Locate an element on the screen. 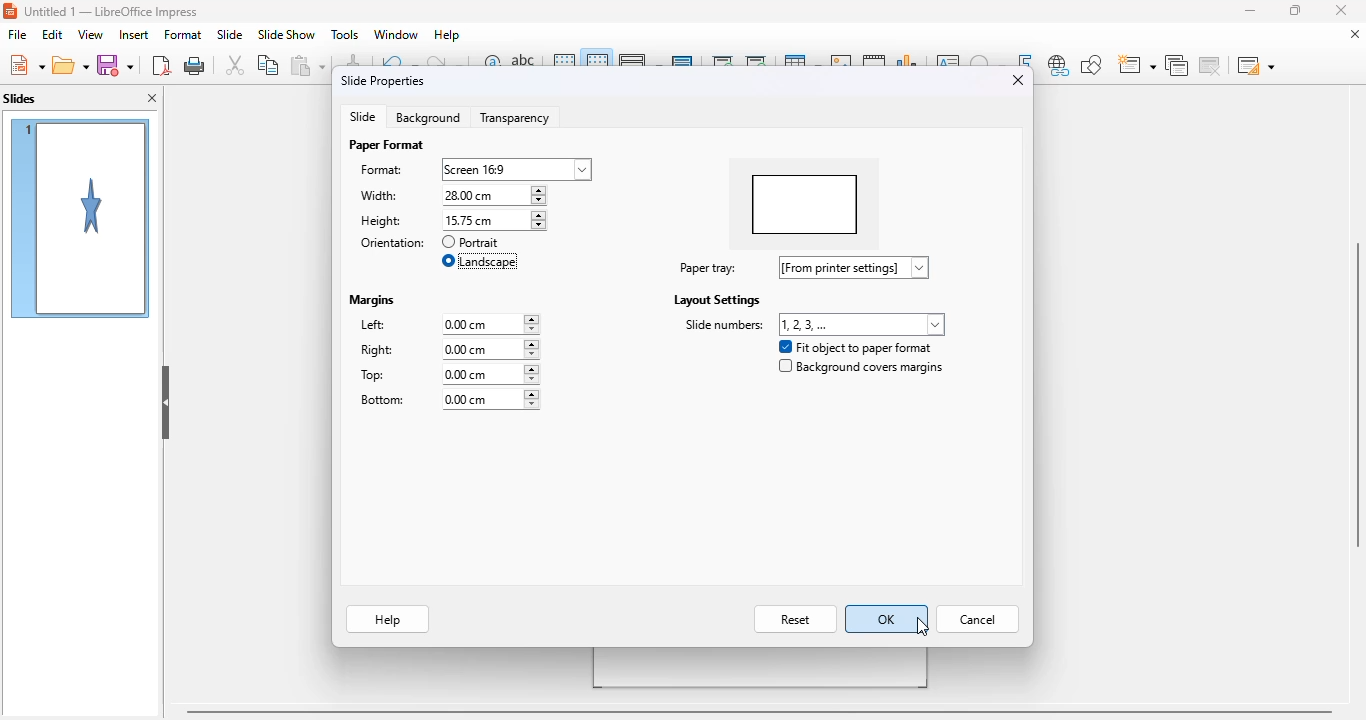 This screenshot has height=720, width=1366. slide is located at coordinates (231, 35).